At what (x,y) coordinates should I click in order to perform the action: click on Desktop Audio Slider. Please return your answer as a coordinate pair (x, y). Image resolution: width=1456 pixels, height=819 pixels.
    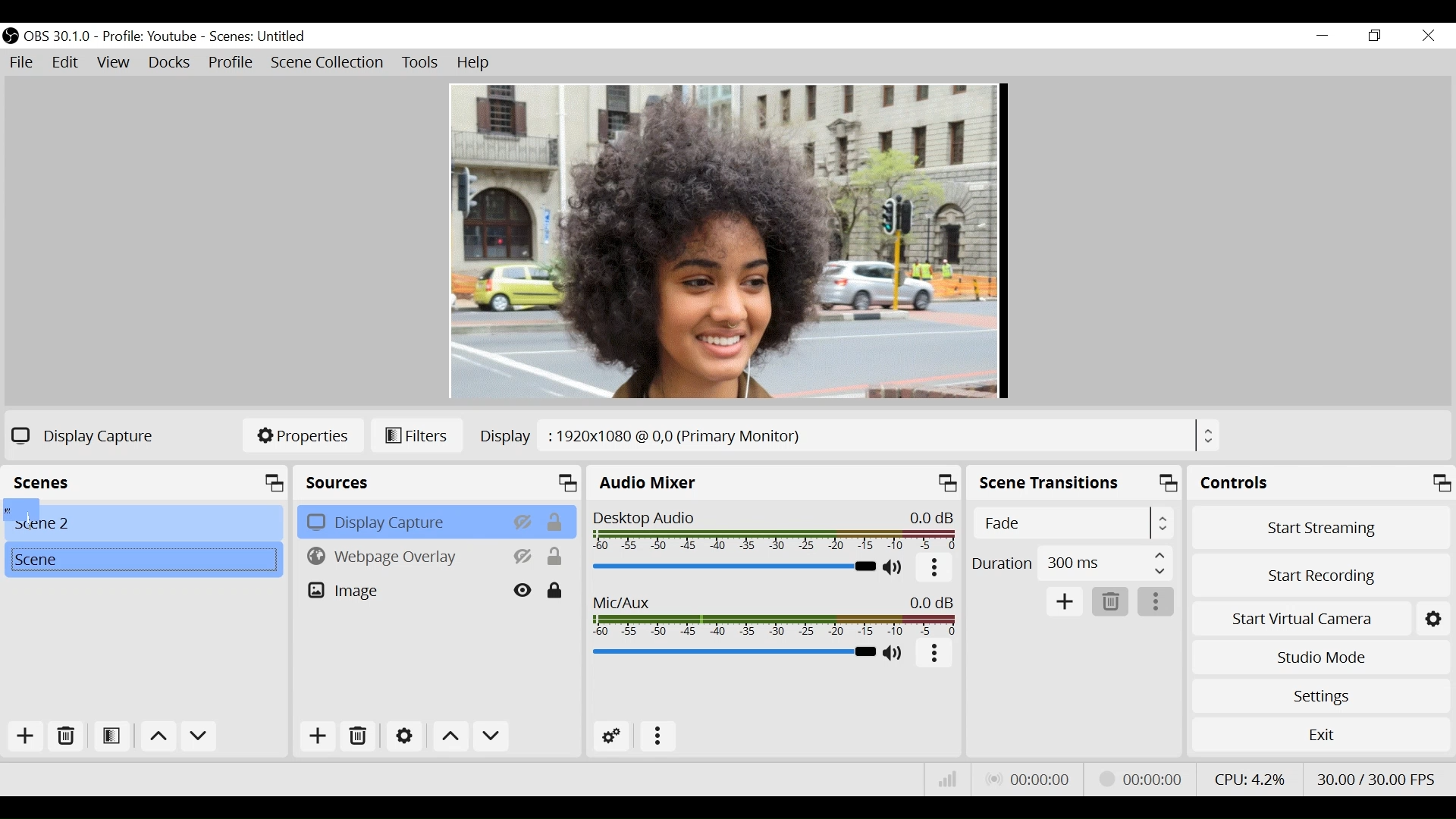
    Looking at the image, I should click on (735, 568).